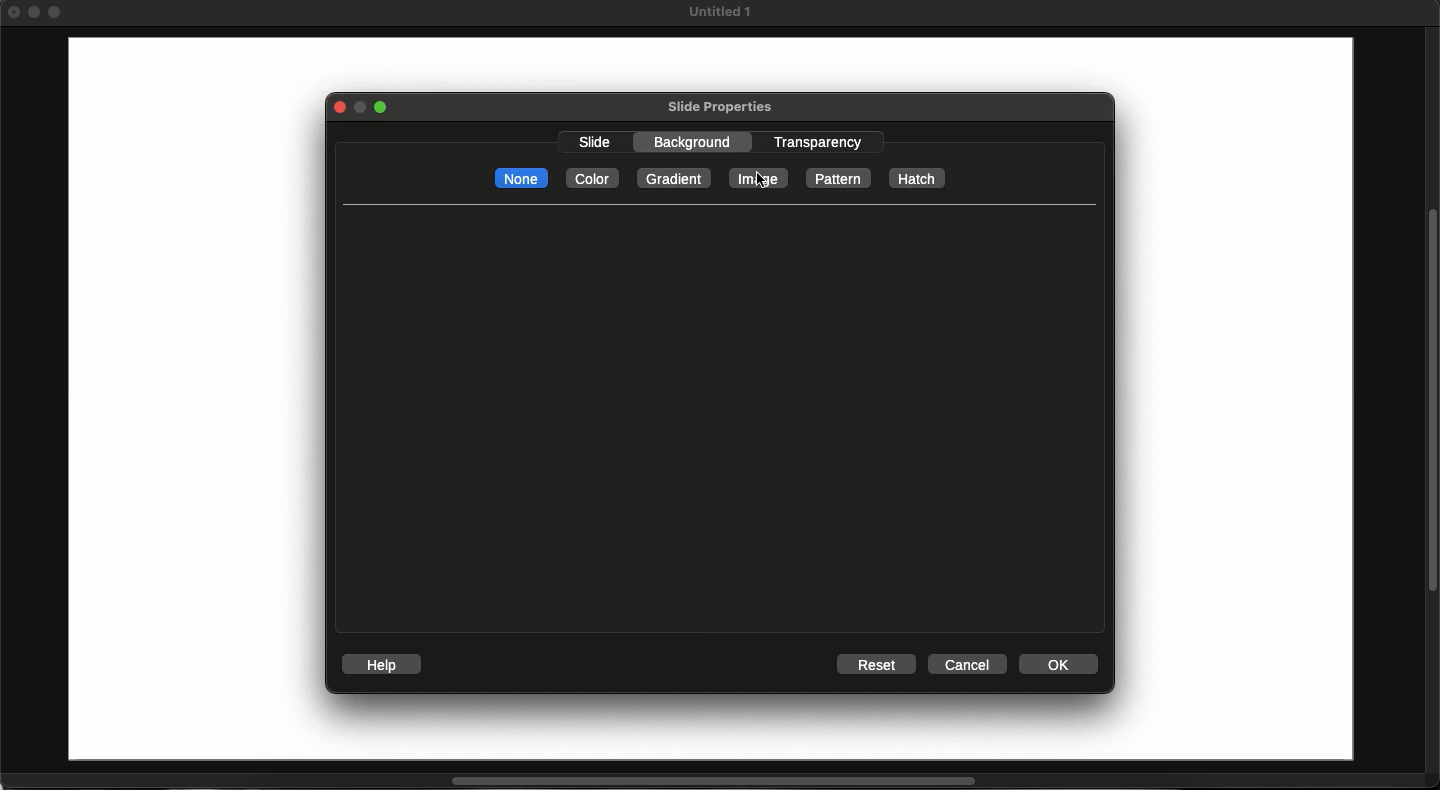 This screenshot has width=1440, height=790. Describe the element at coordinates (37, 12) in the screenshot. I see `Minimize` at that location.